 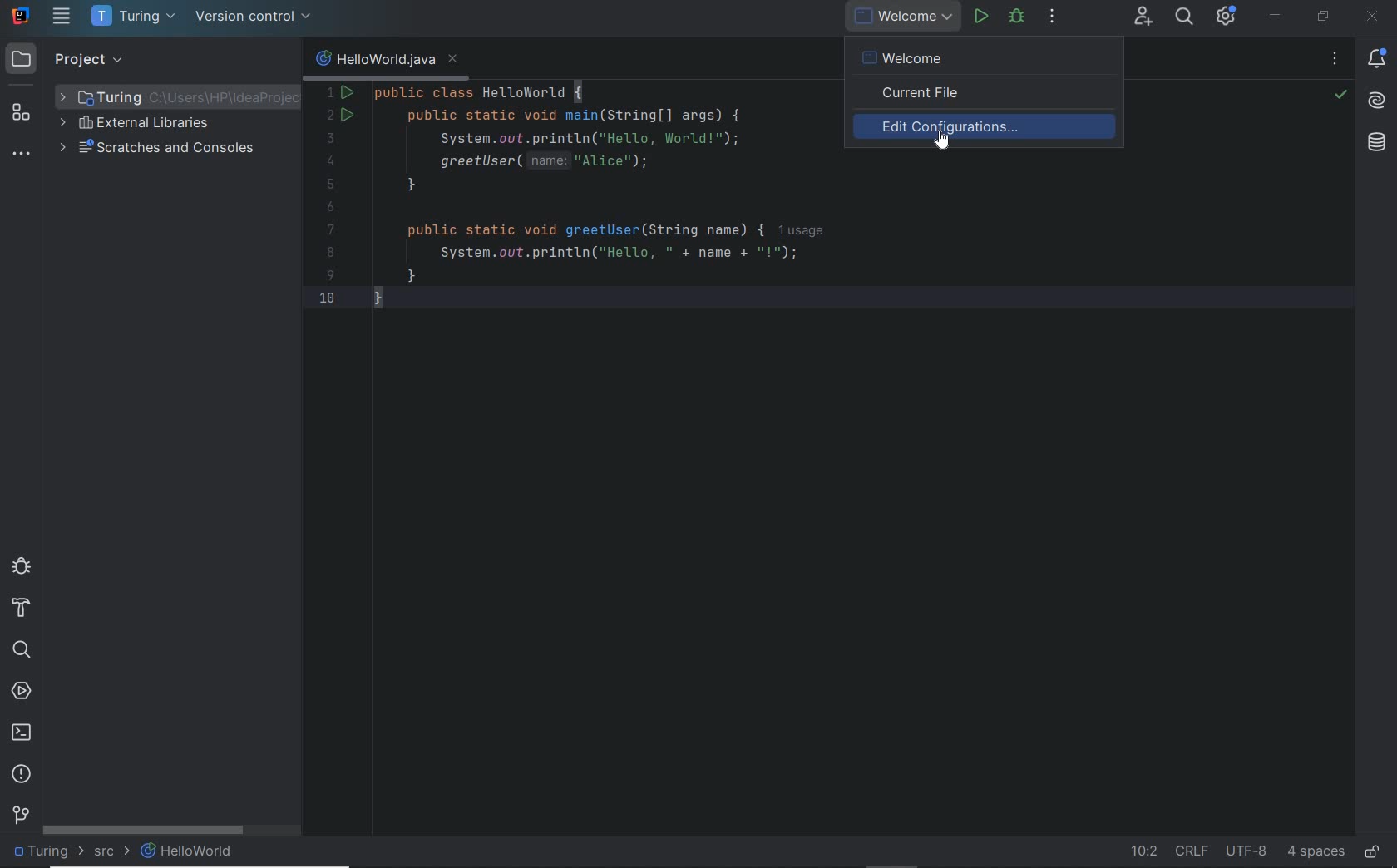 I want to click on version control, so click(x=21, y=814).